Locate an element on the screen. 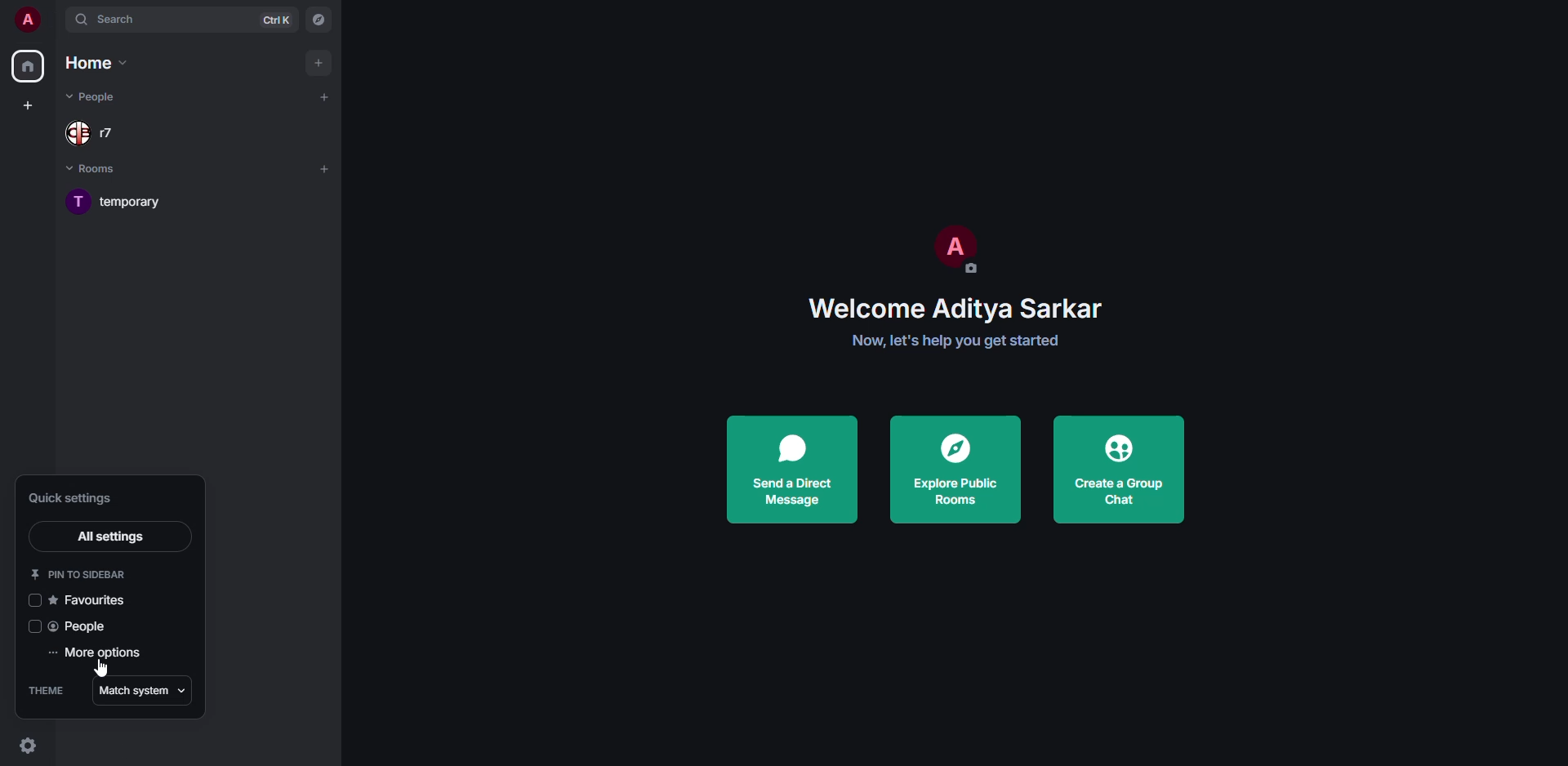 The image size is (1568, 766). add is located at coordinates (324, 167).